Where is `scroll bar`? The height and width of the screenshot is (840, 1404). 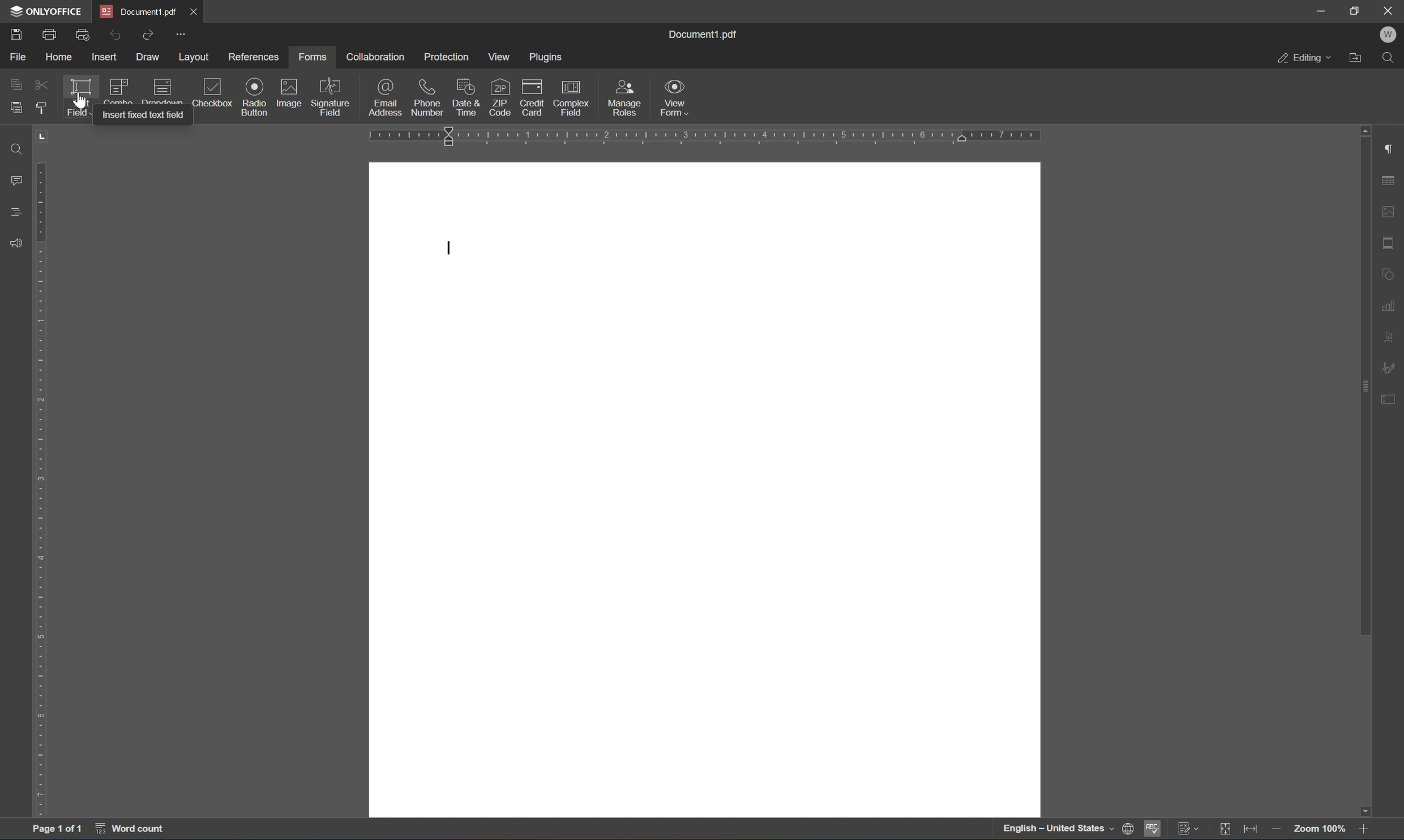
scroll bar is located at coordinates (1365, 385).